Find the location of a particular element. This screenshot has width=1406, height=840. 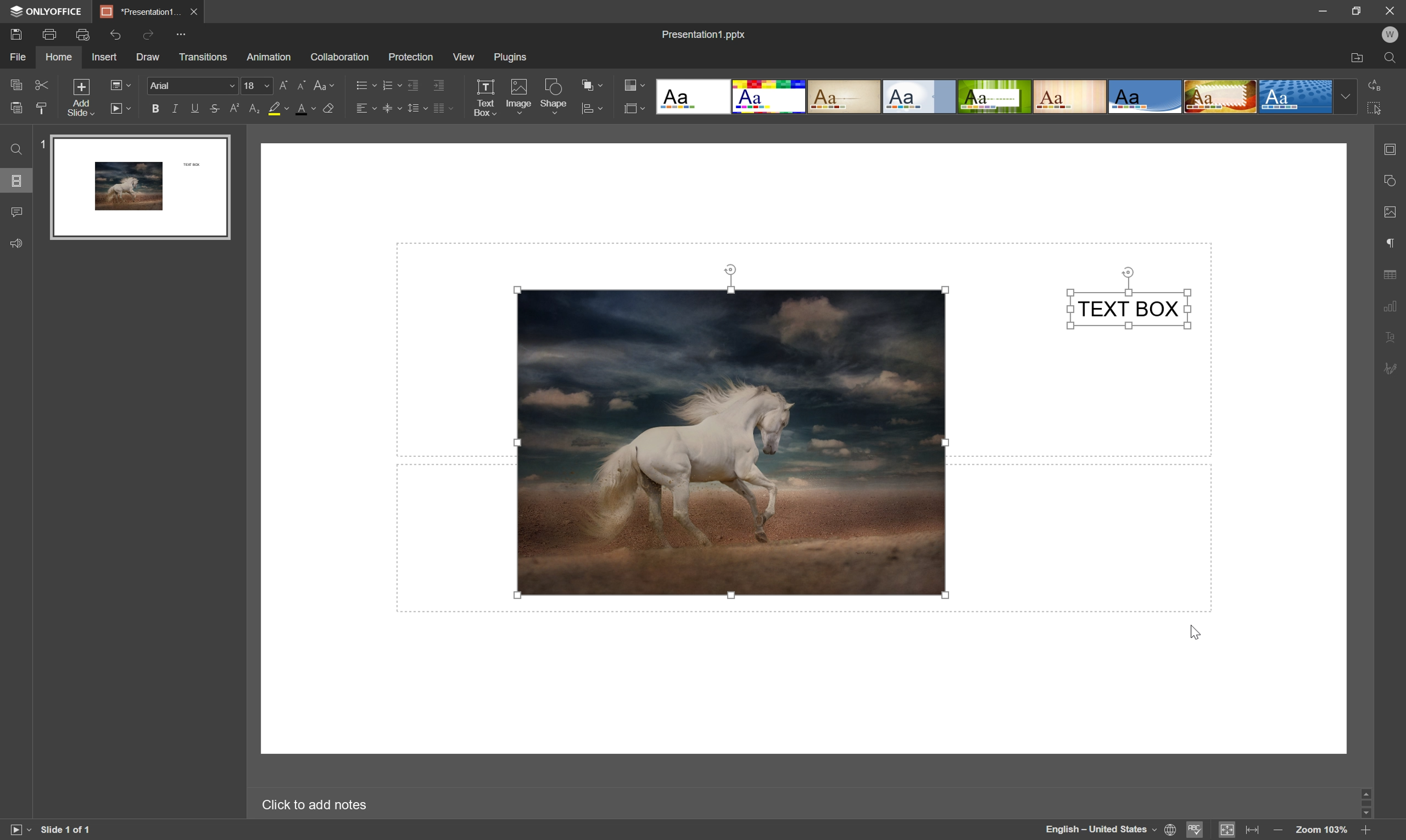

line spacing is located at coordinates (417, 108).